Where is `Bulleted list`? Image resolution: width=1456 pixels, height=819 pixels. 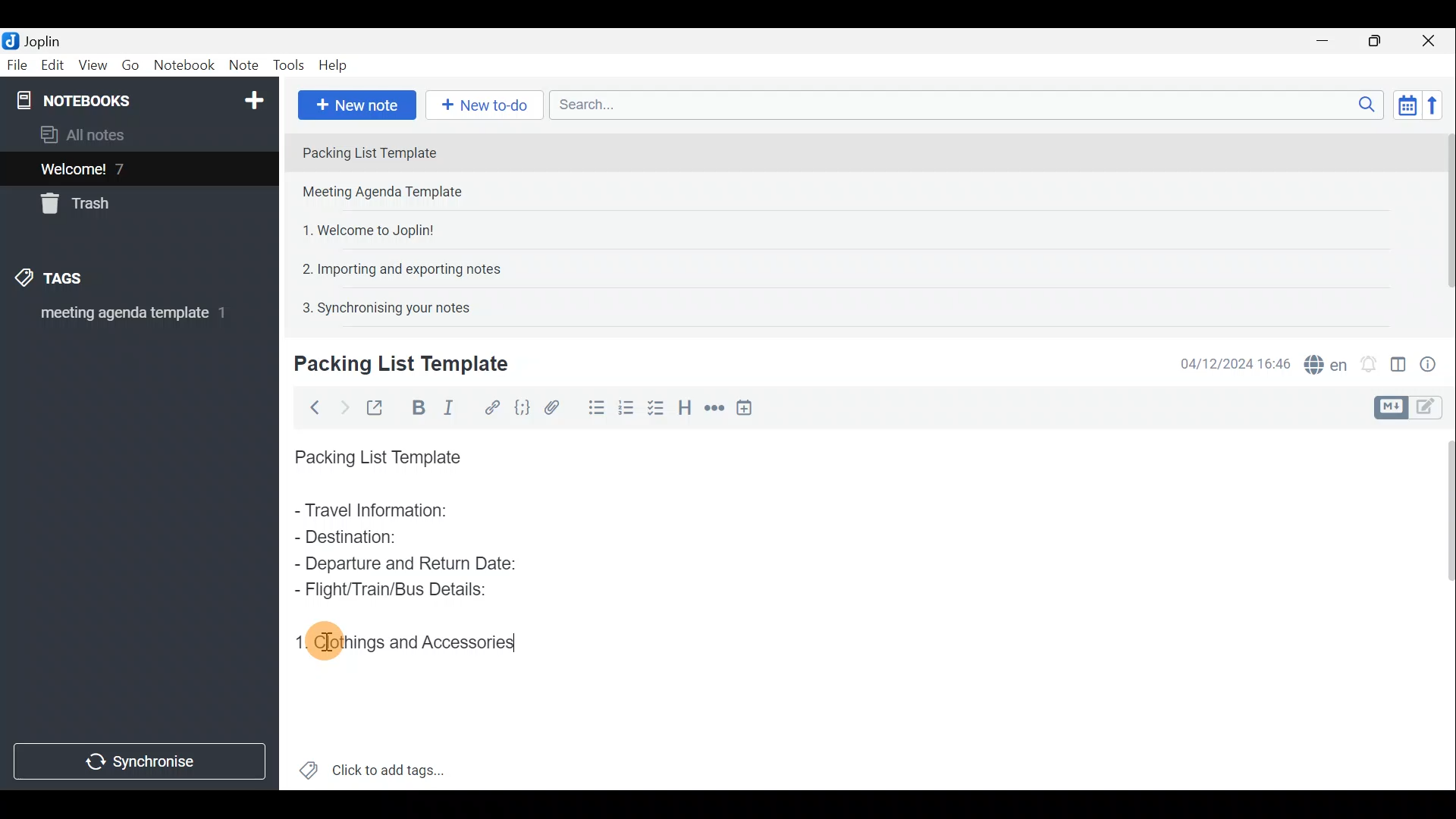 Bulleted list is located at coordinates (591, 410).